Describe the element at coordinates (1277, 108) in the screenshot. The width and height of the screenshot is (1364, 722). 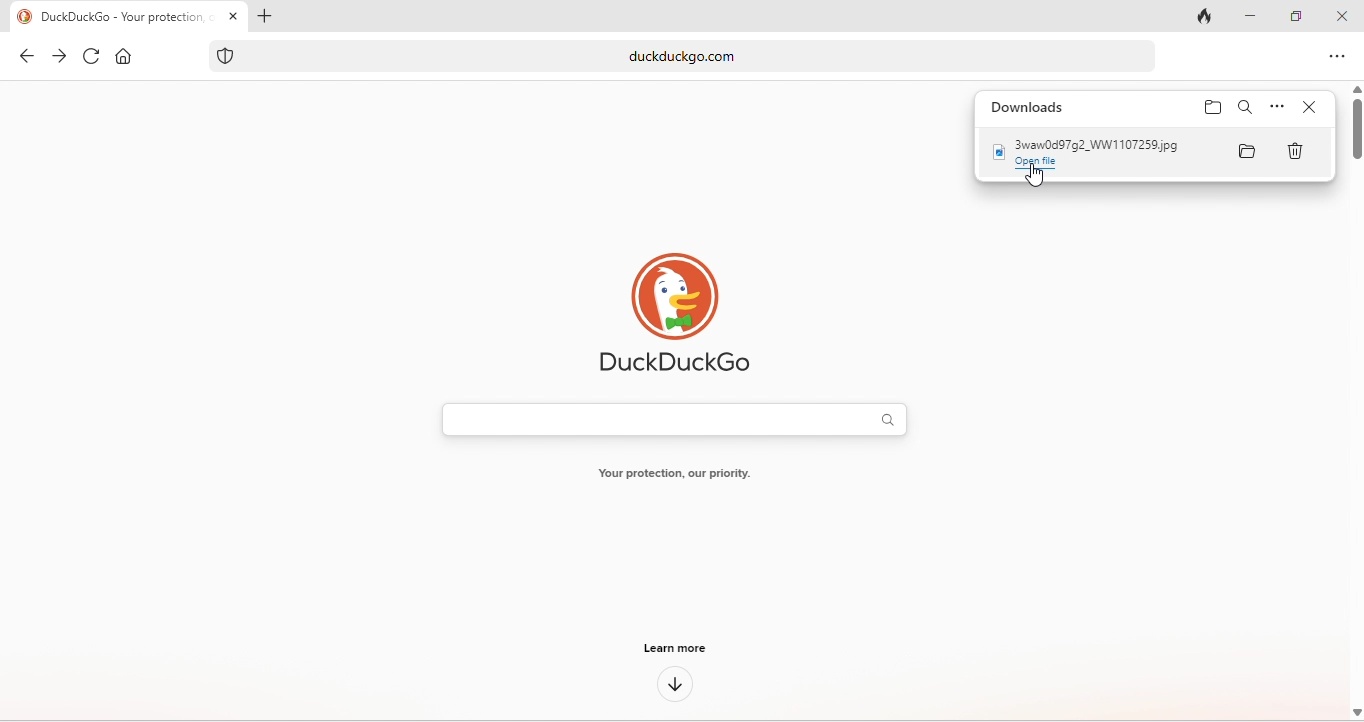
I see `option` at that location.